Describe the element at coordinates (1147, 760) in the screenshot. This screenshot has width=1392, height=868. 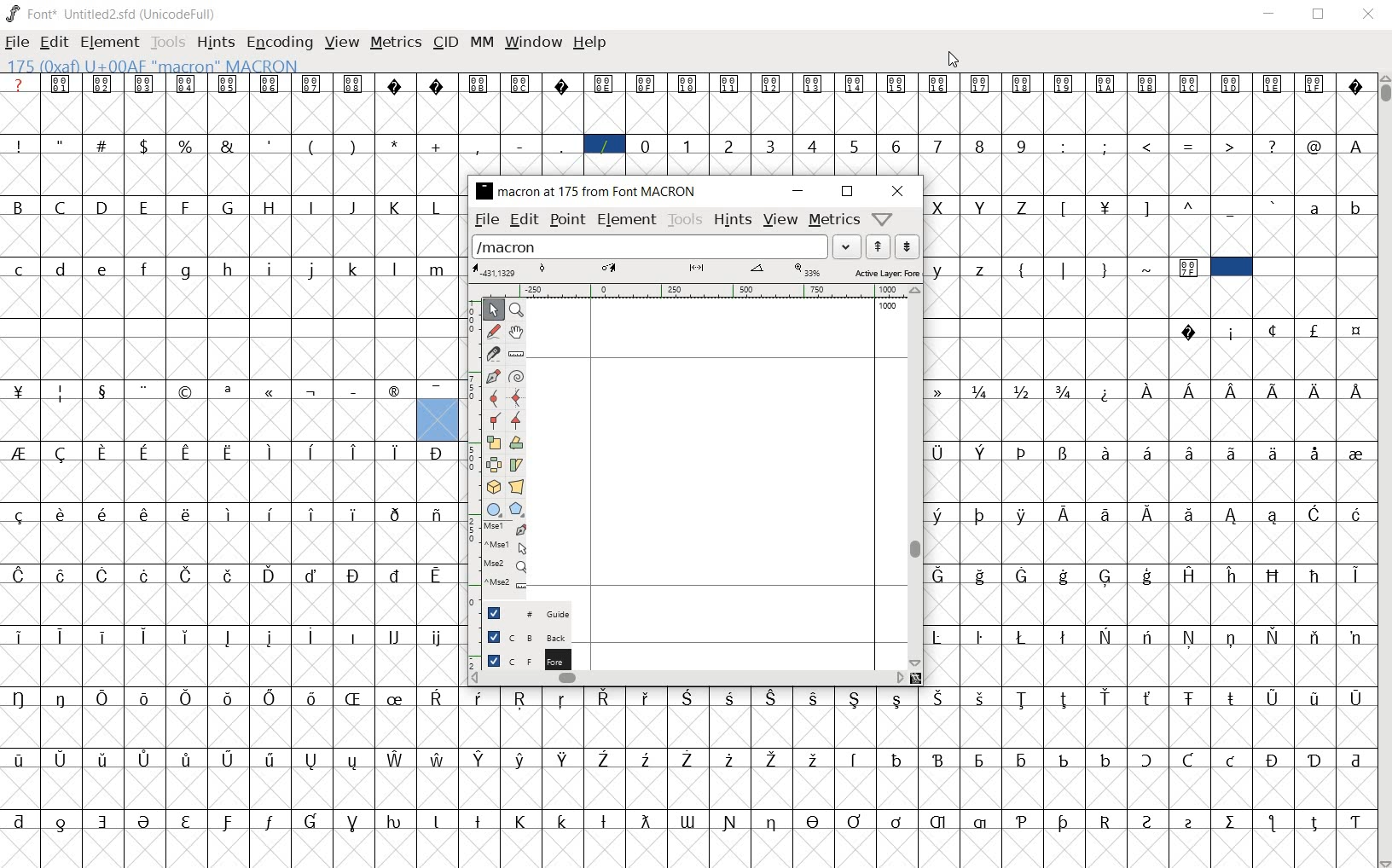
I see `Symbol` at that location.